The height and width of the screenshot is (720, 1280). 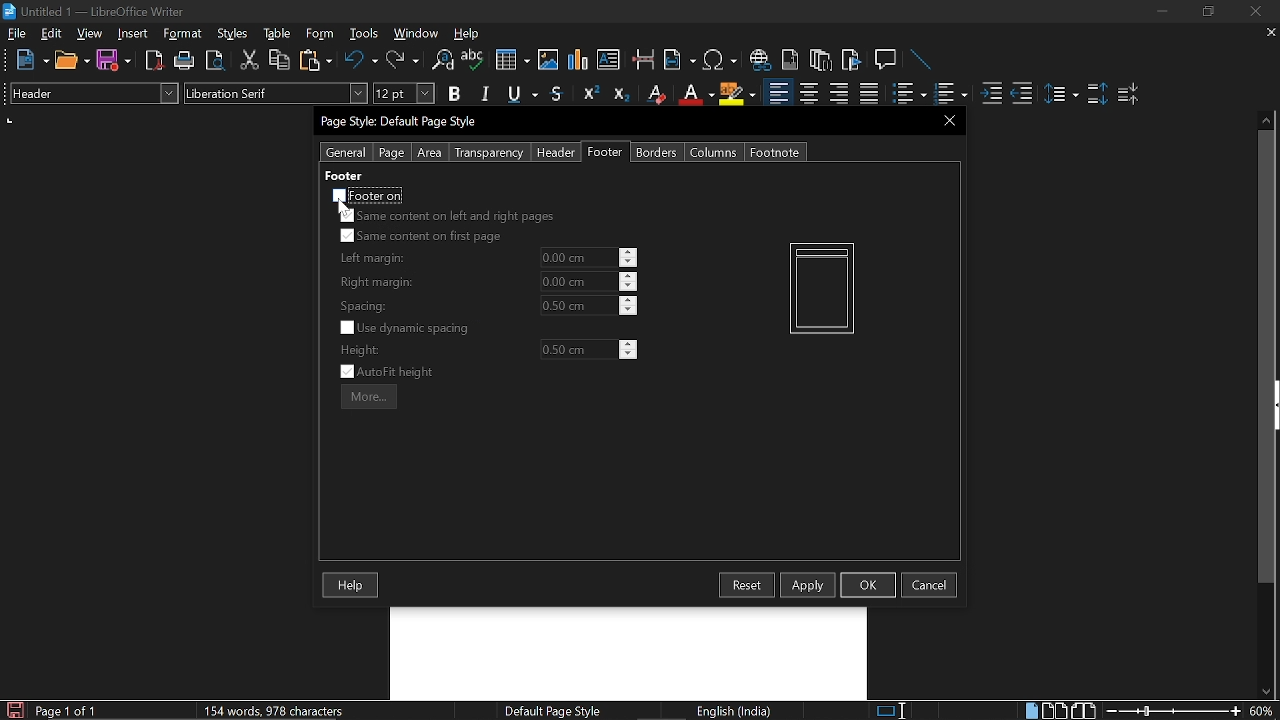 What do you see at coordinates (321, 34) in the screenshot?
I see `Form` at bounding box center [321, 34].